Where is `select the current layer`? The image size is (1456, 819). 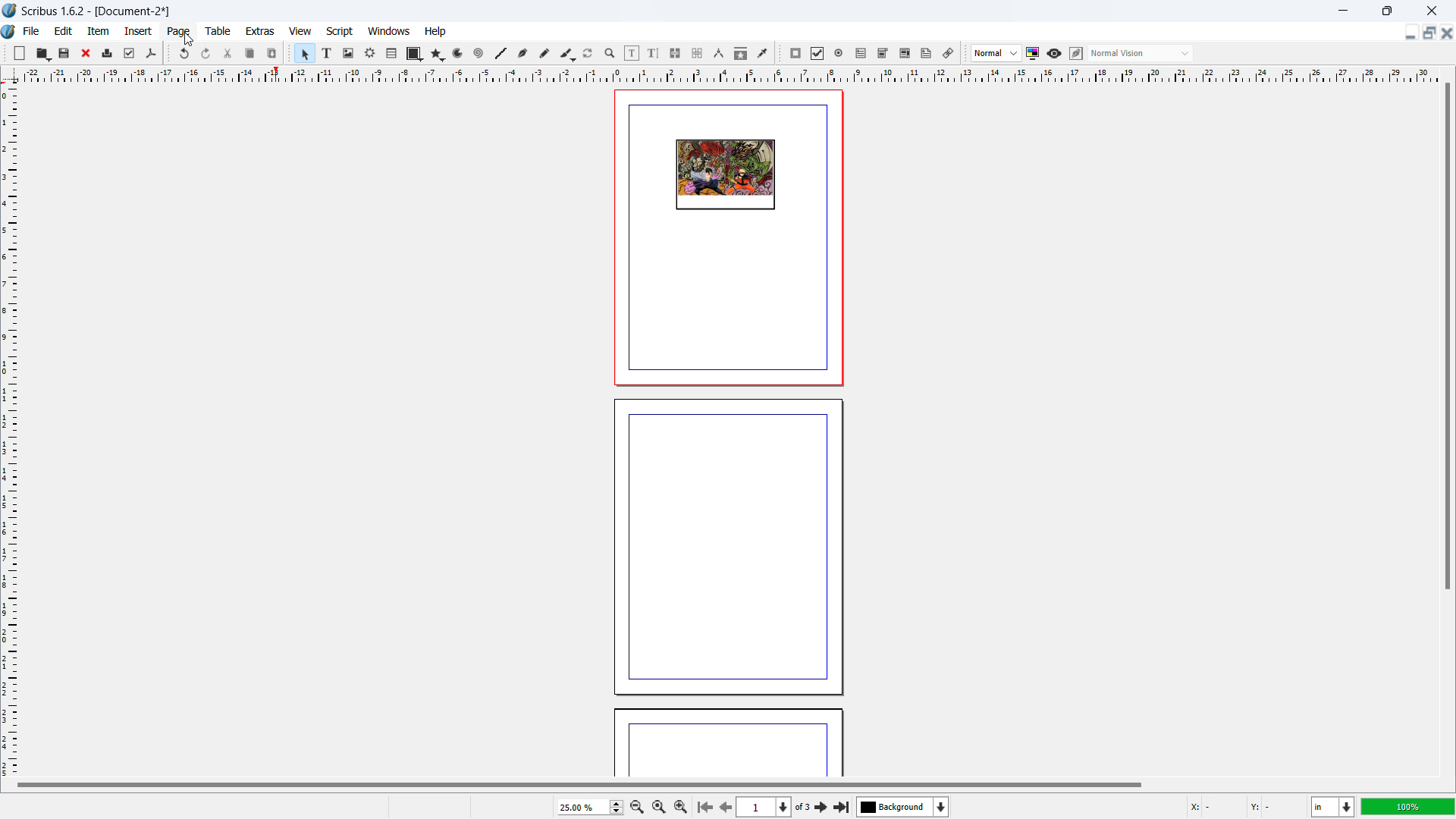 select the current layer is located at coordinates (903, 807).